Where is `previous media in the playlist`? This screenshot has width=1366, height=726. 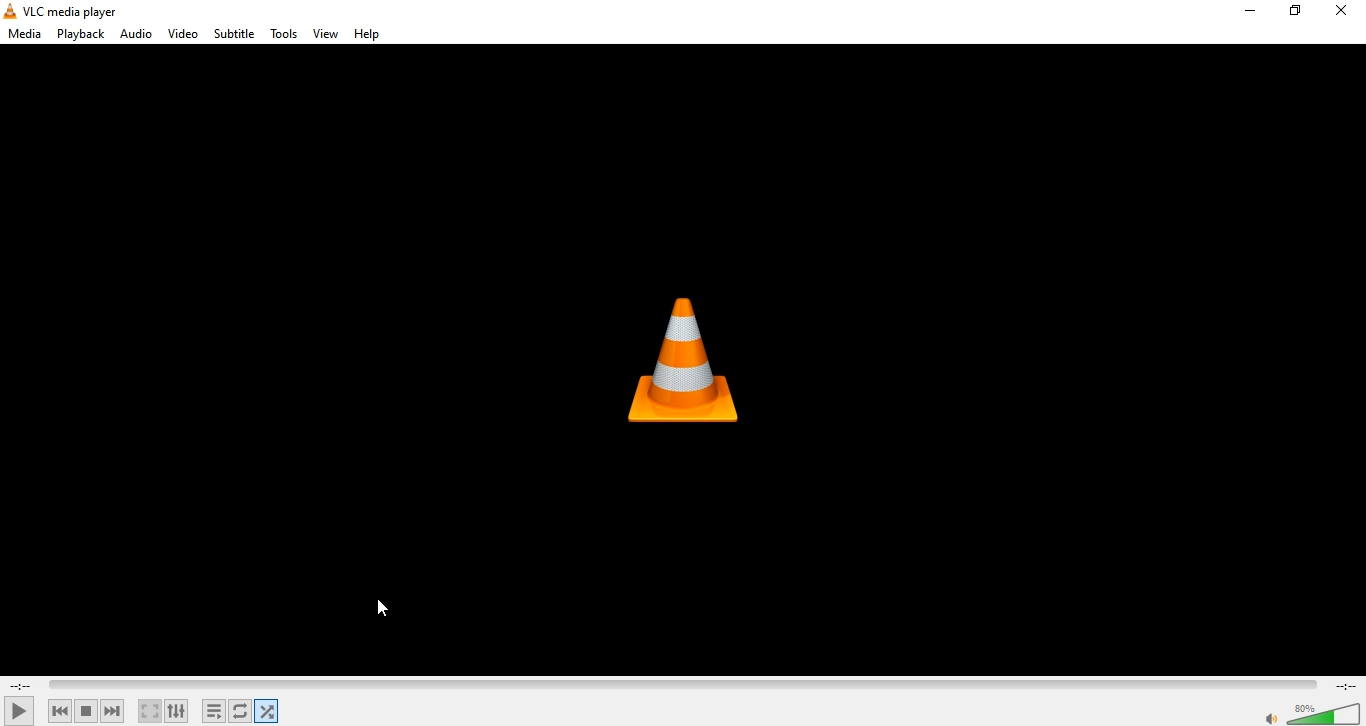 previous media in the playlist is located at coordinates (60, 711).